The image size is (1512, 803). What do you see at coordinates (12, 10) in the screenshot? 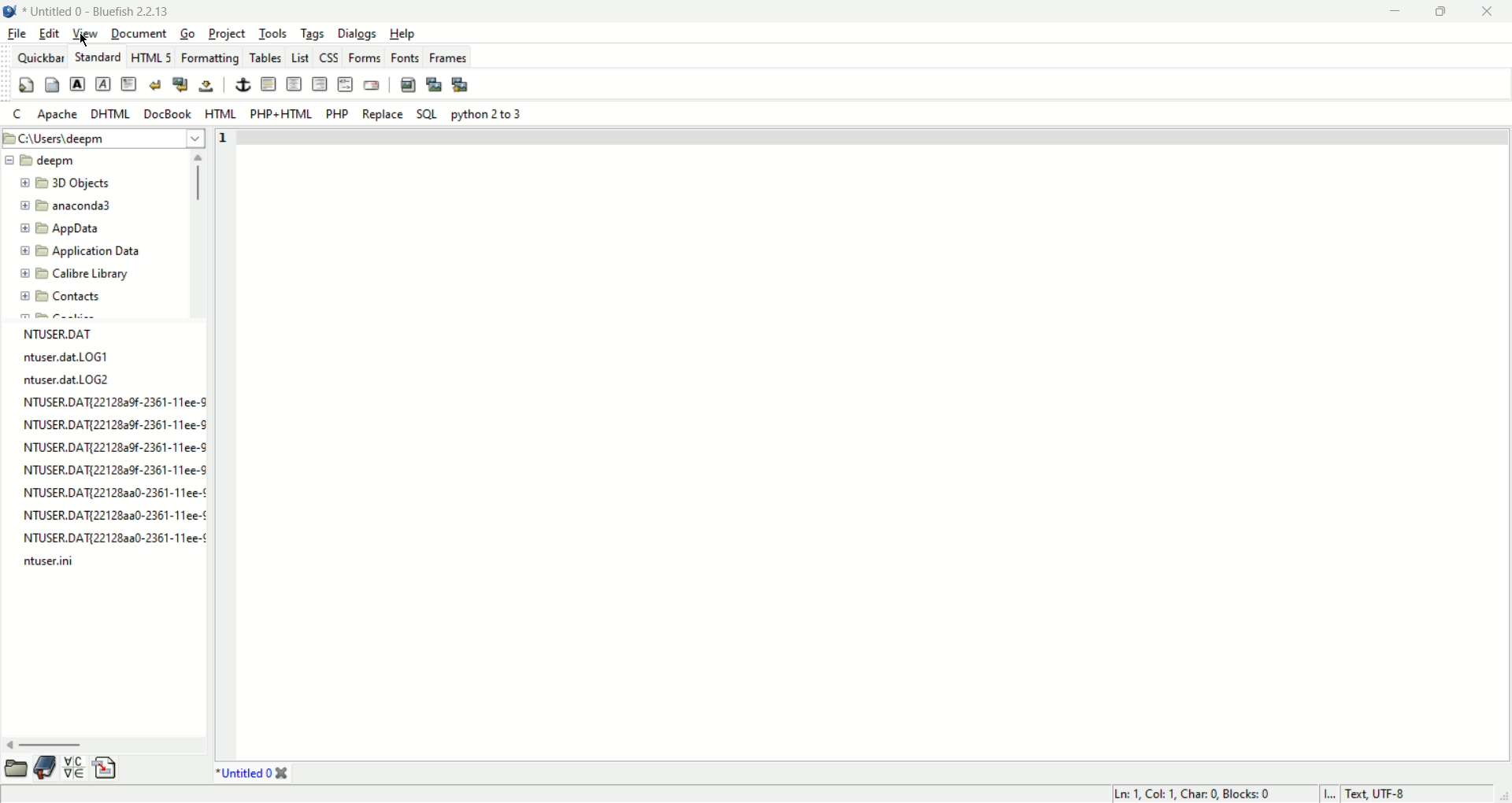
I see `logo` at bounding box center [12, 10].